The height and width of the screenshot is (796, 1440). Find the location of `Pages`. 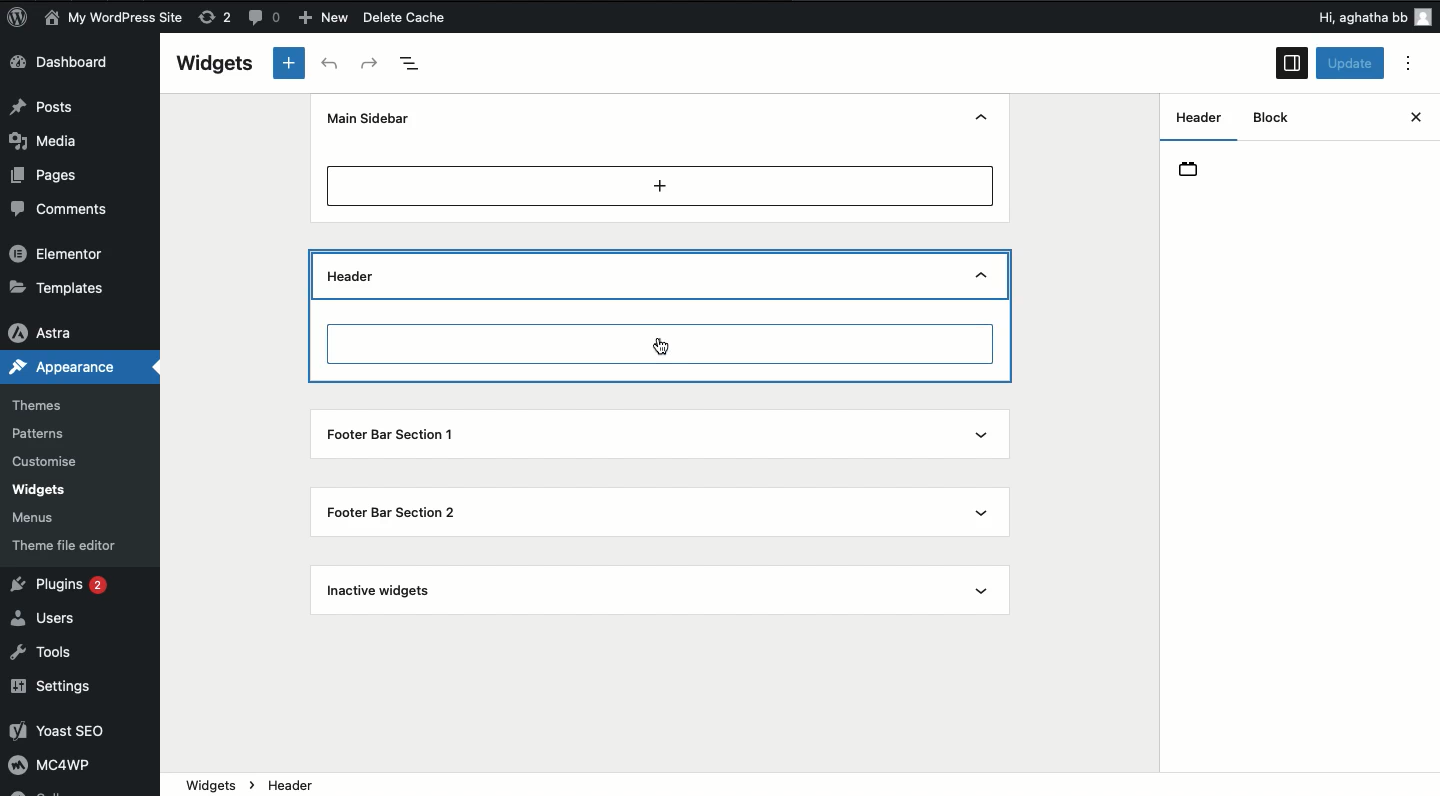

Pages is located at coordinates (48, 175).